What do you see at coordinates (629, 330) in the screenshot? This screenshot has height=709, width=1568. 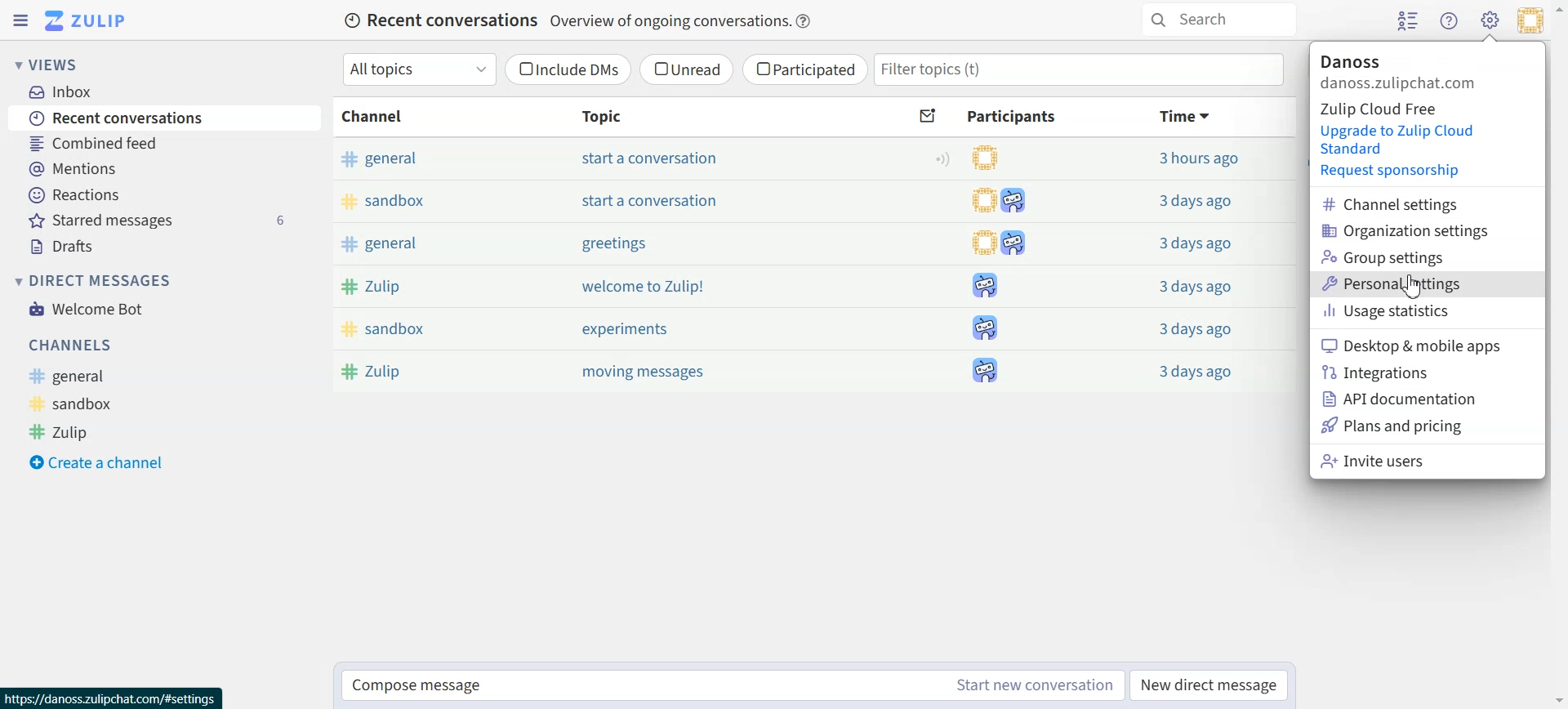 I see `experiments` at bounding box center [629, 330].